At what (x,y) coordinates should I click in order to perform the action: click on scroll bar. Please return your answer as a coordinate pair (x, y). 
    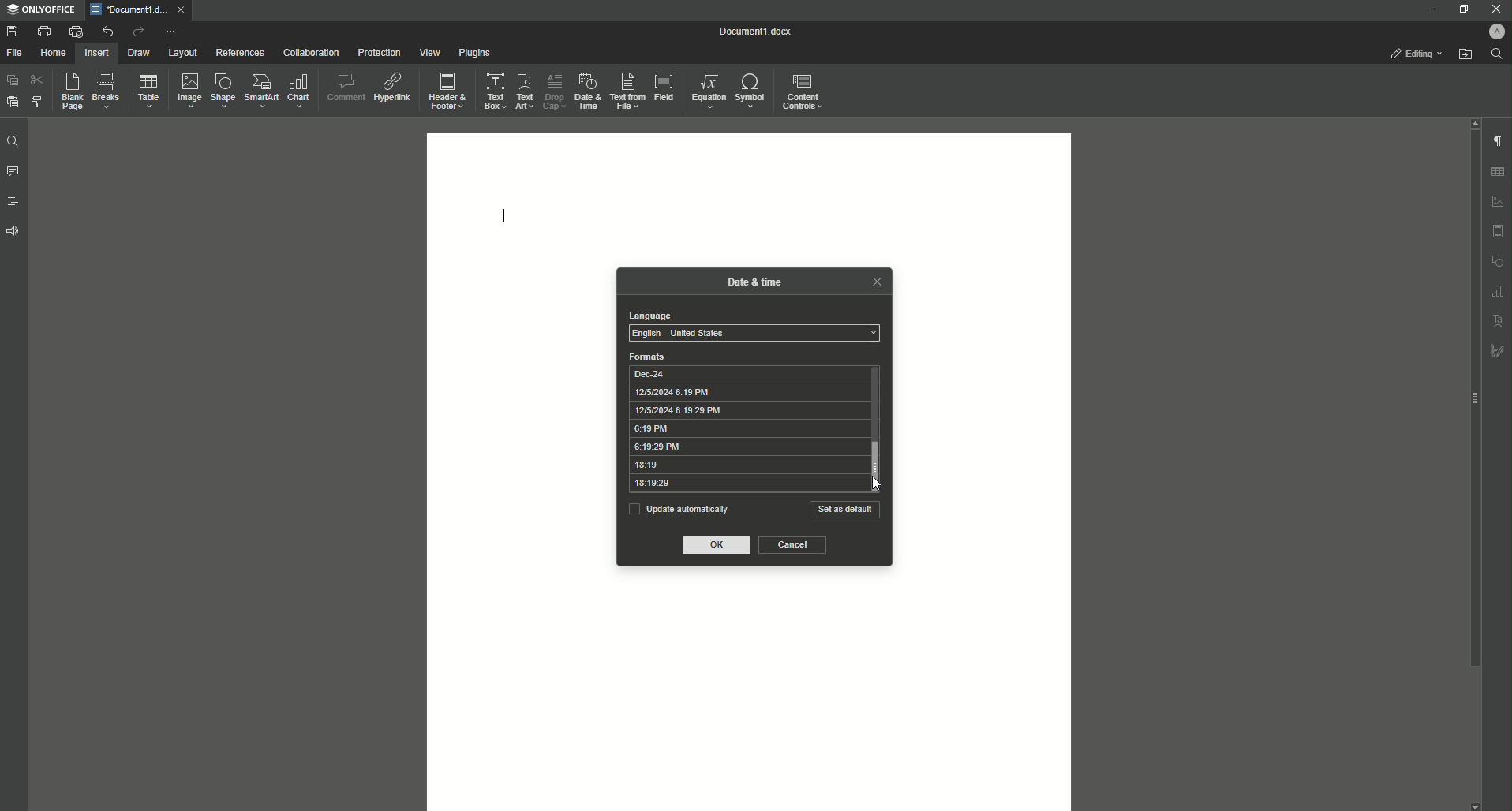
    Looking at the image, I should click on (1472, 399).